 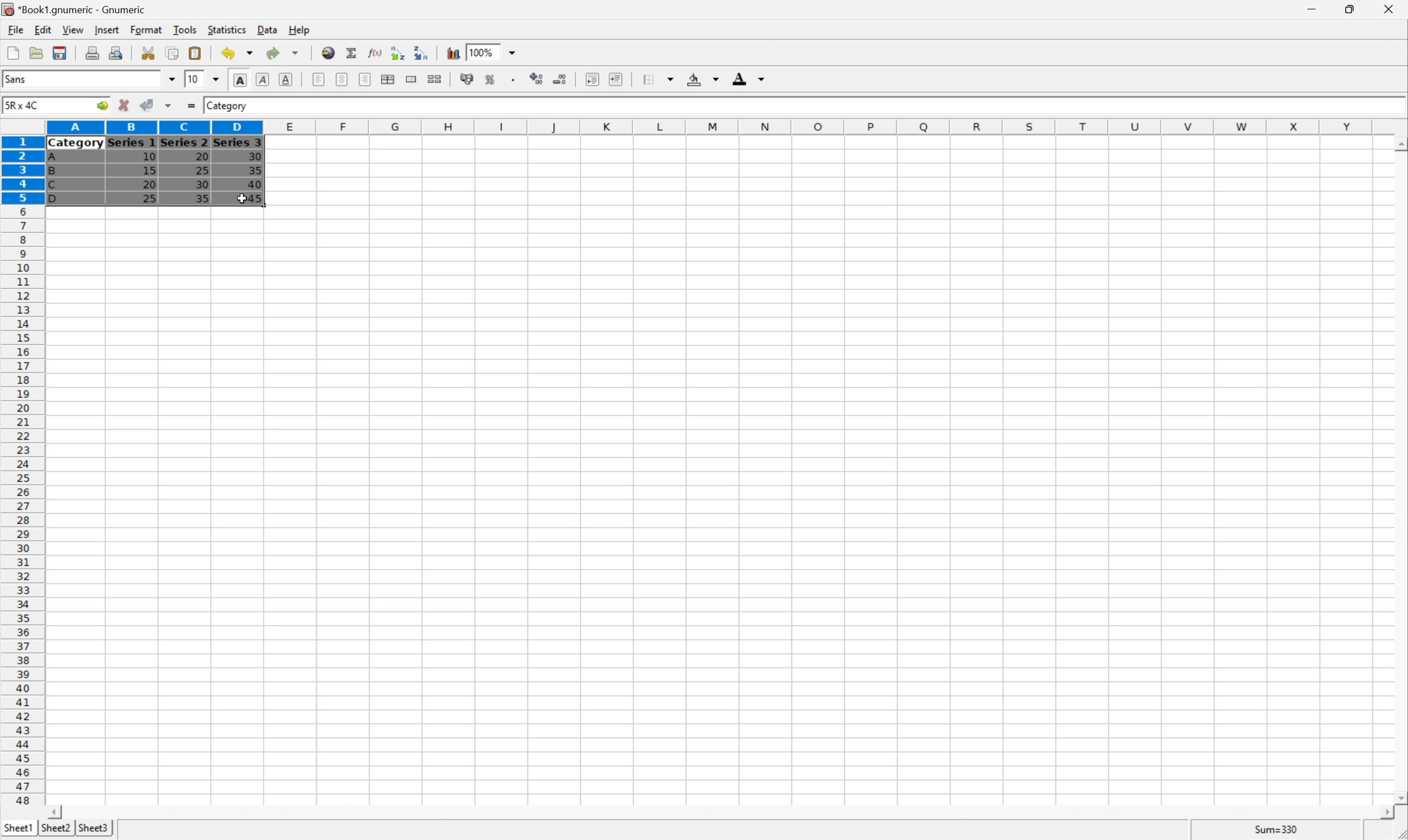 What do you see at coordinates (149, 185) in the screenshot?
I see `20` at bounding box center [149, 185].